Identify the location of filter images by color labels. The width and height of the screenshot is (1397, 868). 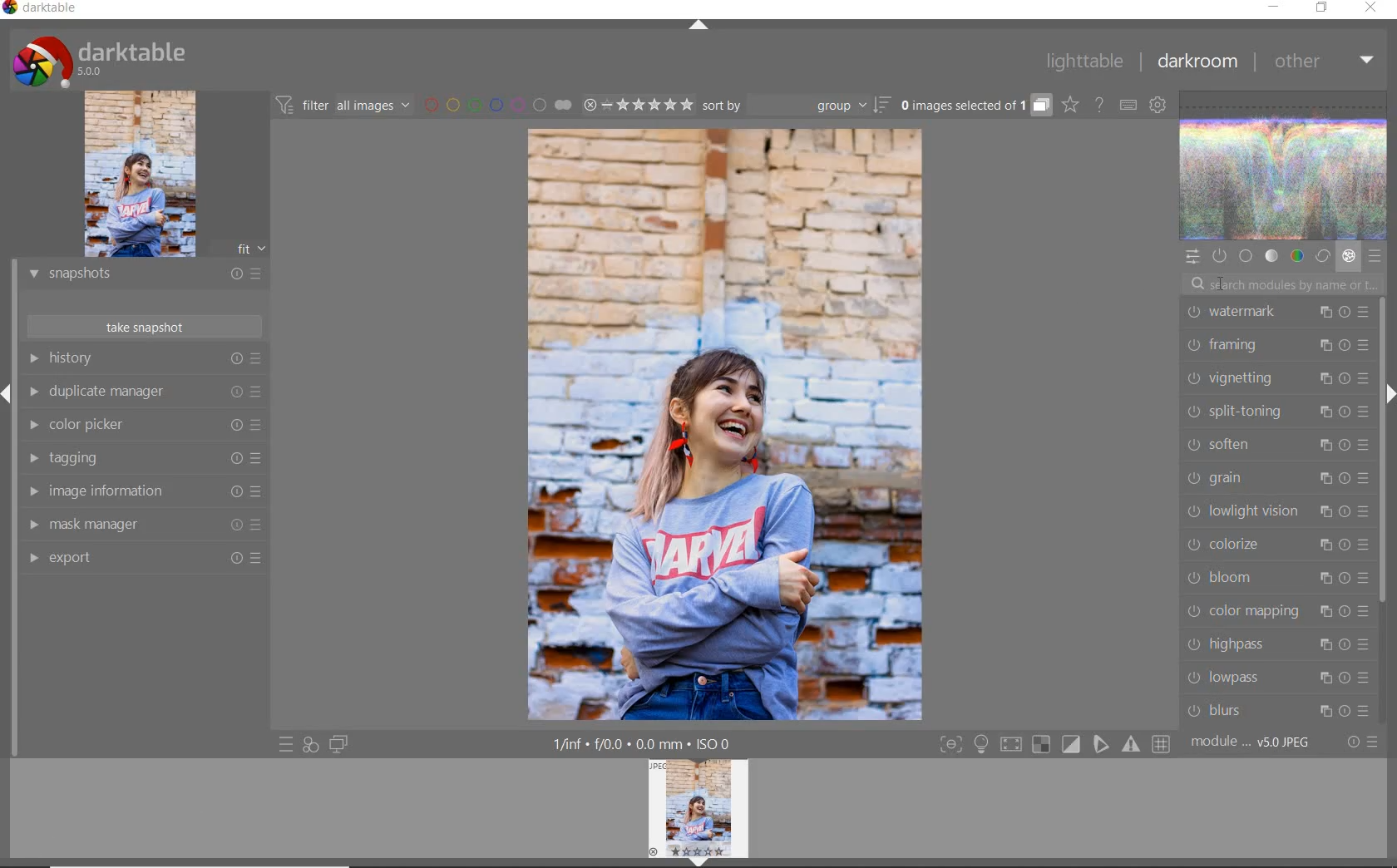
(497, 106).